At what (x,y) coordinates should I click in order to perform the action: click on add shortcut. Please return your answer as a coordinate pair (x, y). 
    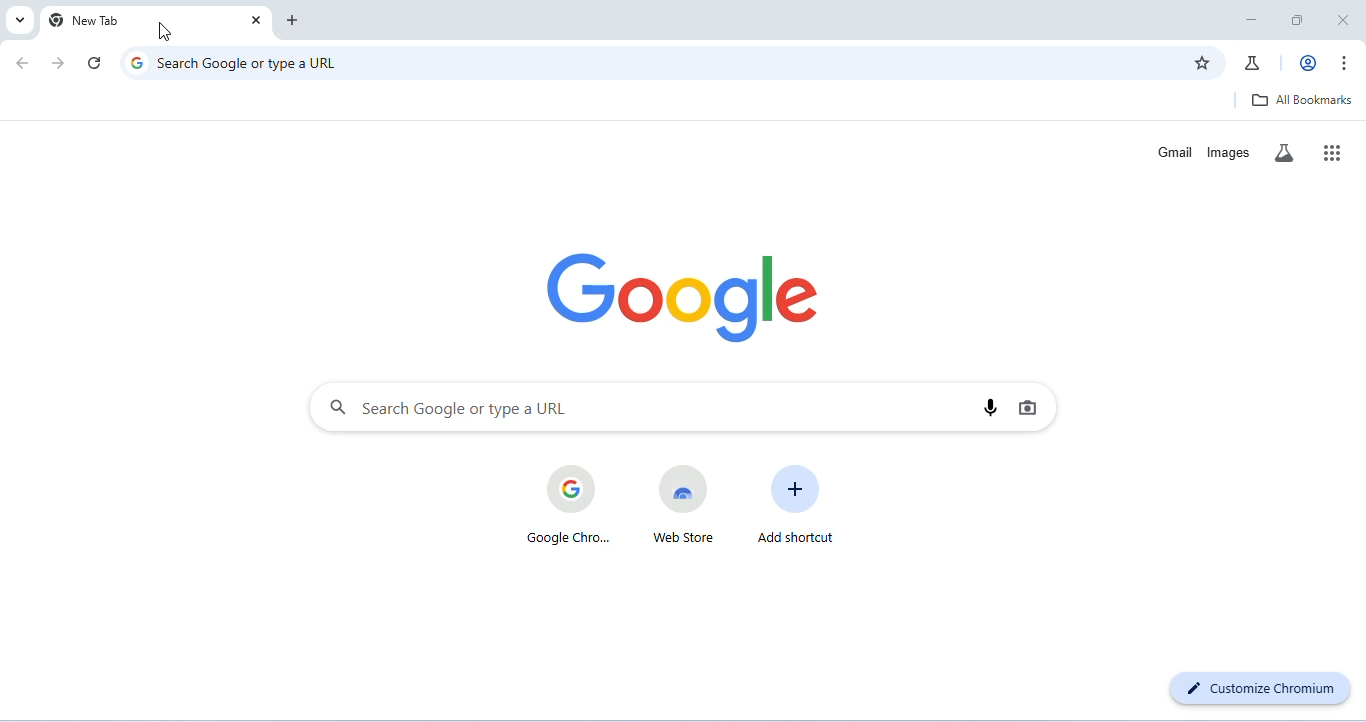
    Looking at the image, I should click on (793, 504).